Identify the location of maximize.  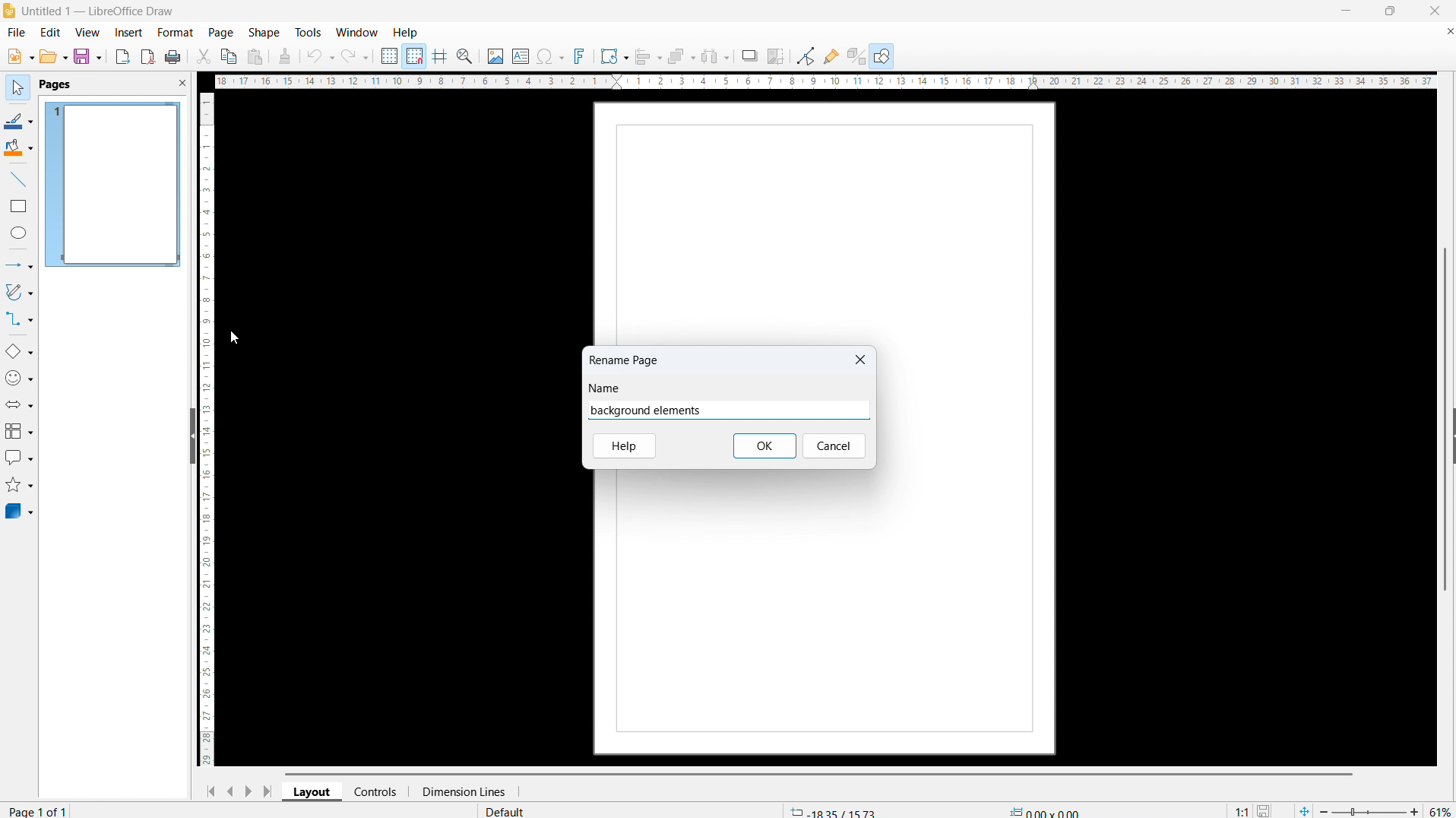
(1390, 11).